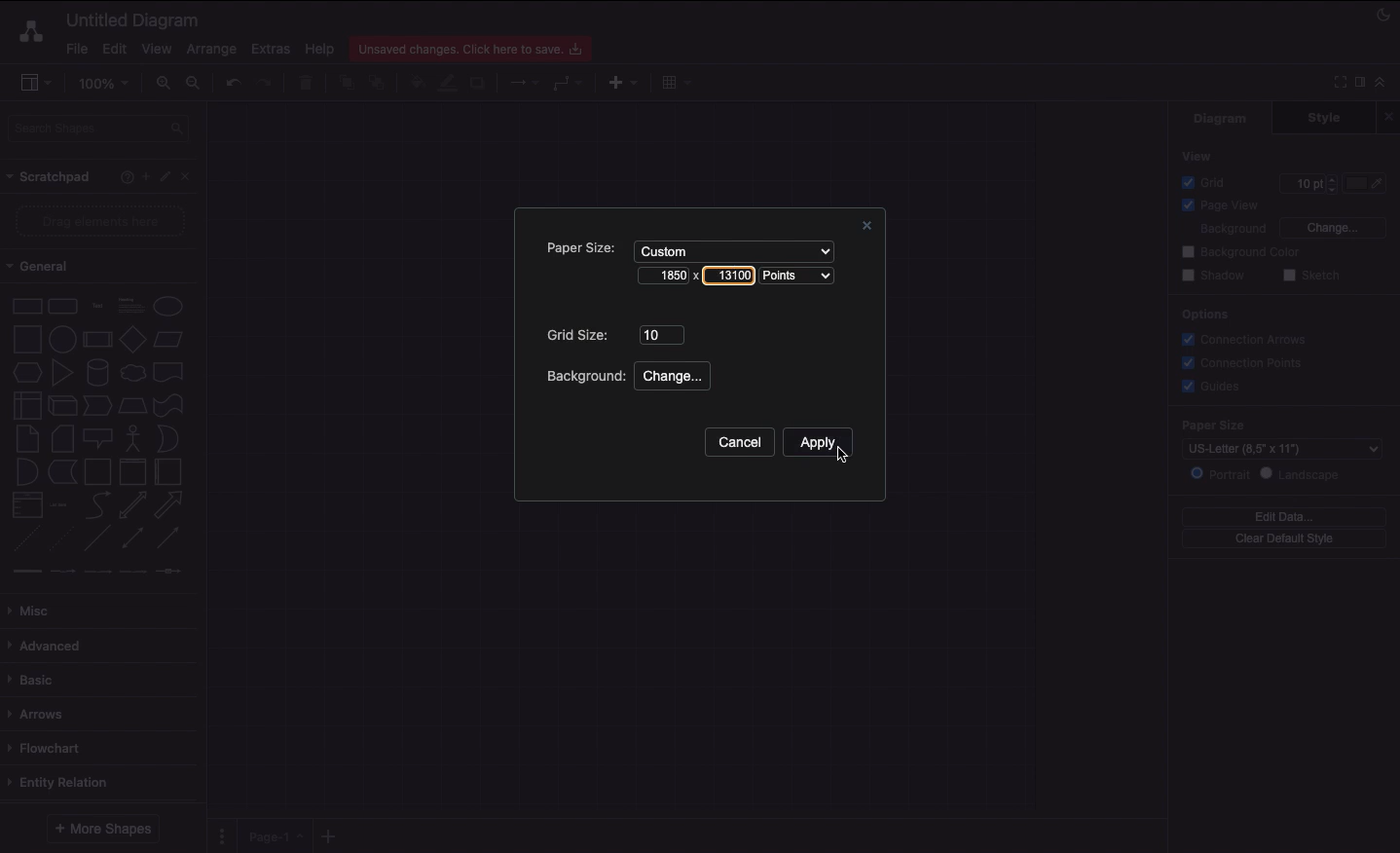  What do you see at coordinates (97, 406) in the screenshot?
I see `Step` at bounding box center [97, 406].